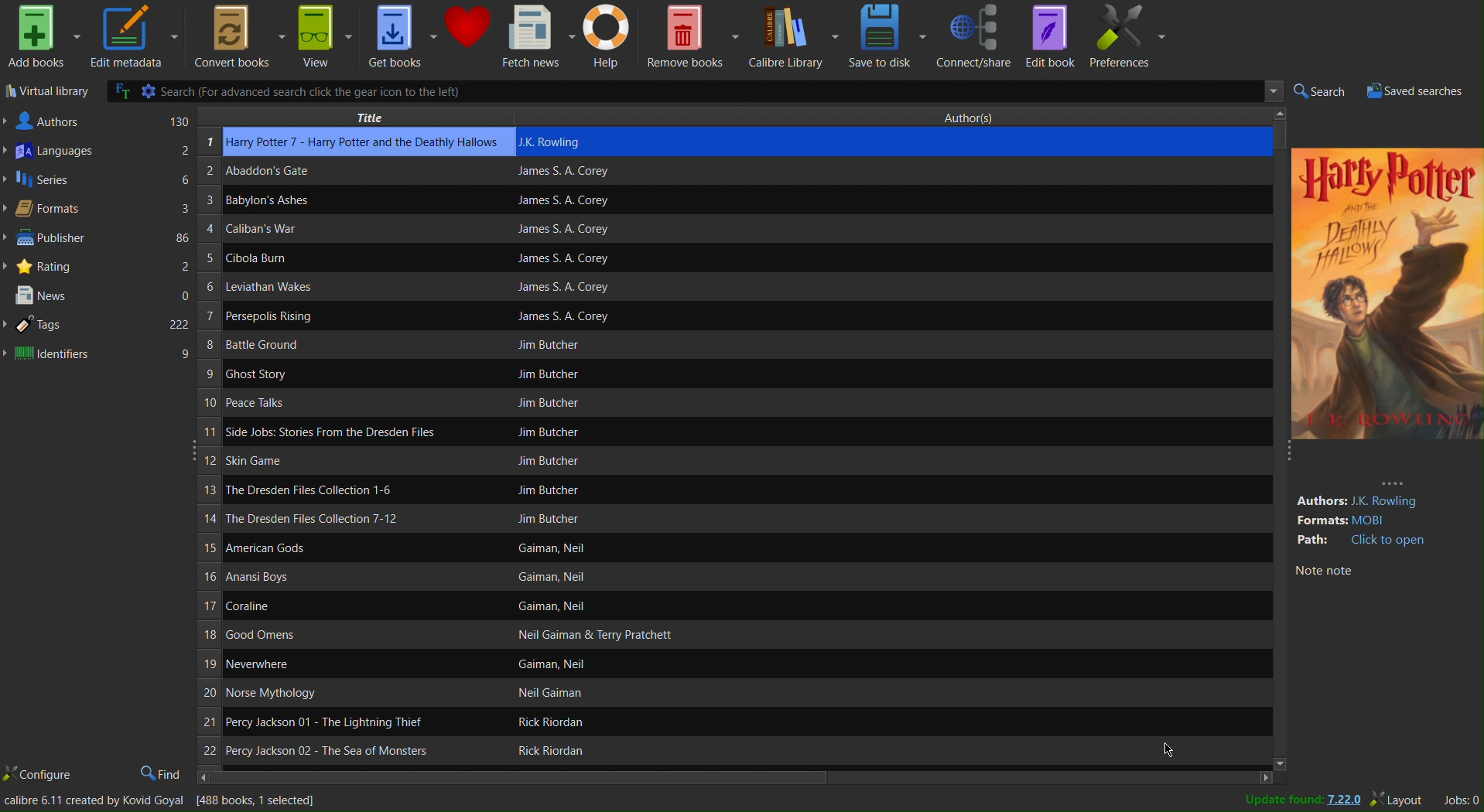 The image size is (1484, 812). What do you see at coordinates (340, 489) in the screenshot?
I see `Book name` at bounding box center [340, 489].